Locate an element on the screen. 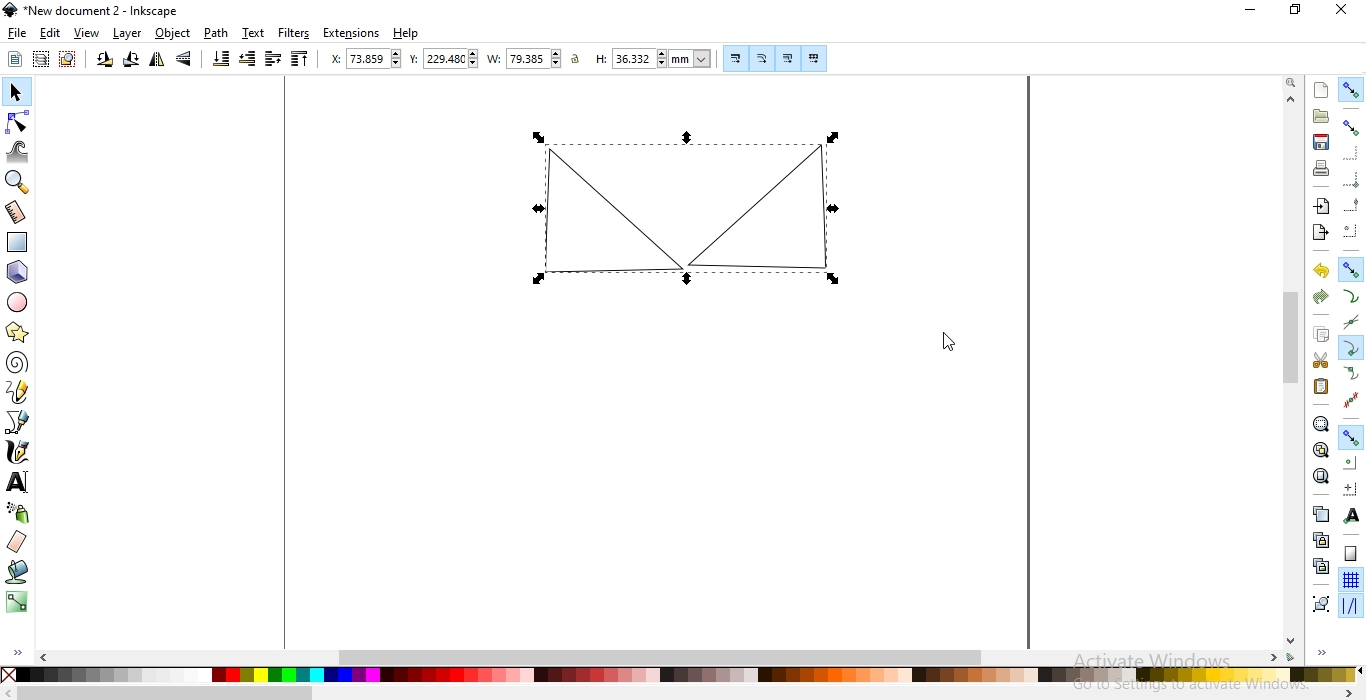  enable snapping is located at coordinates (1352, 91).